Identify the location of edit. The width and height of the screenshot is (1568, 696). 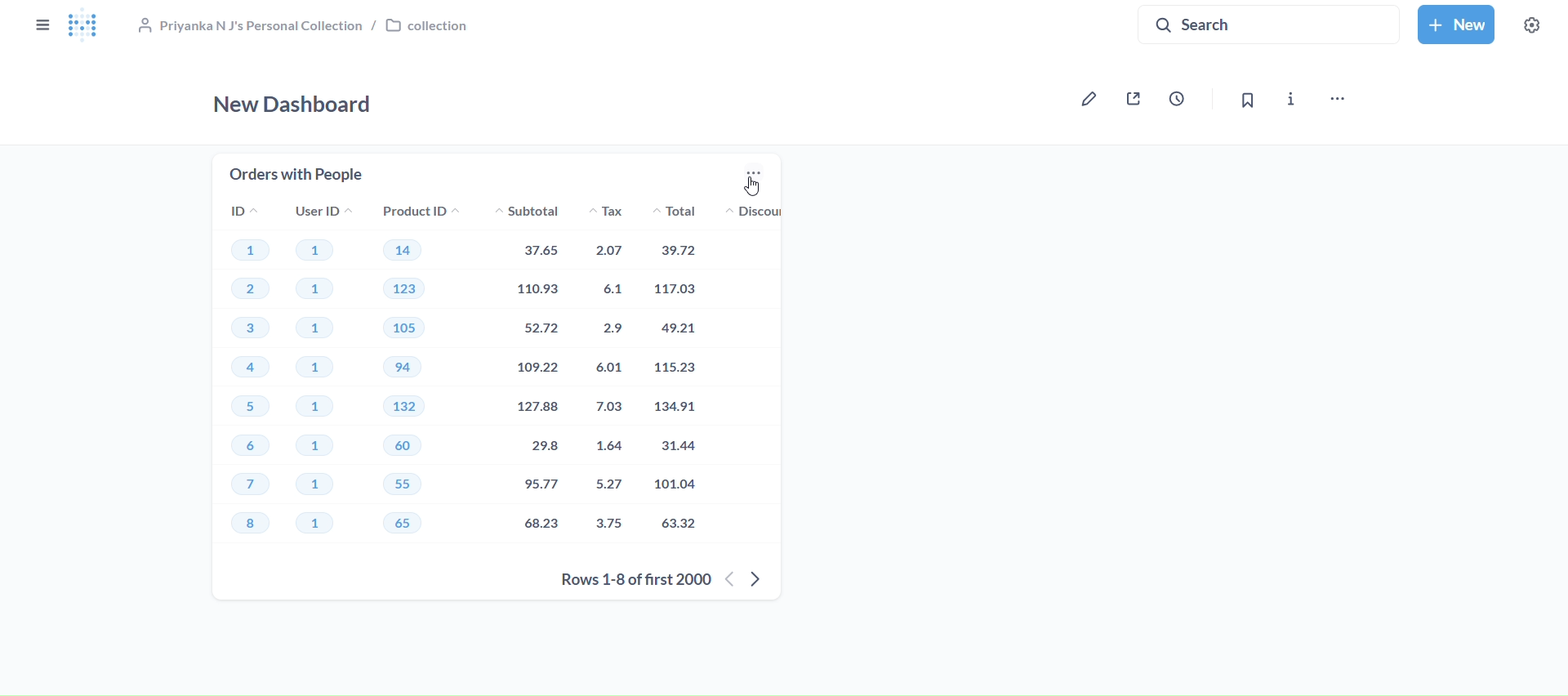
(1085, 100).